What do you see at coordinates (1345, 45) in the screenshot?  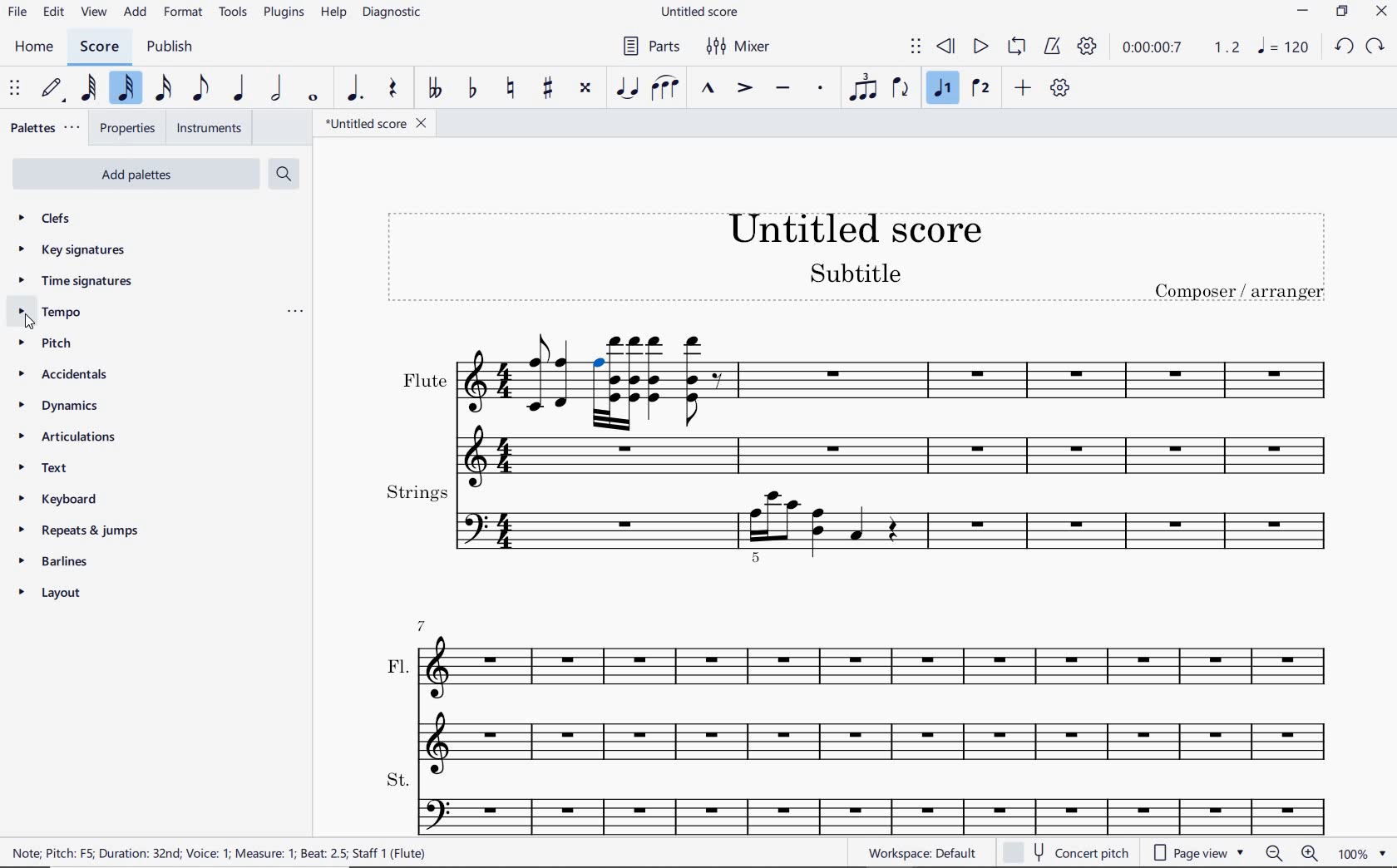 I see `undo` at bounding box center [1345, 45].